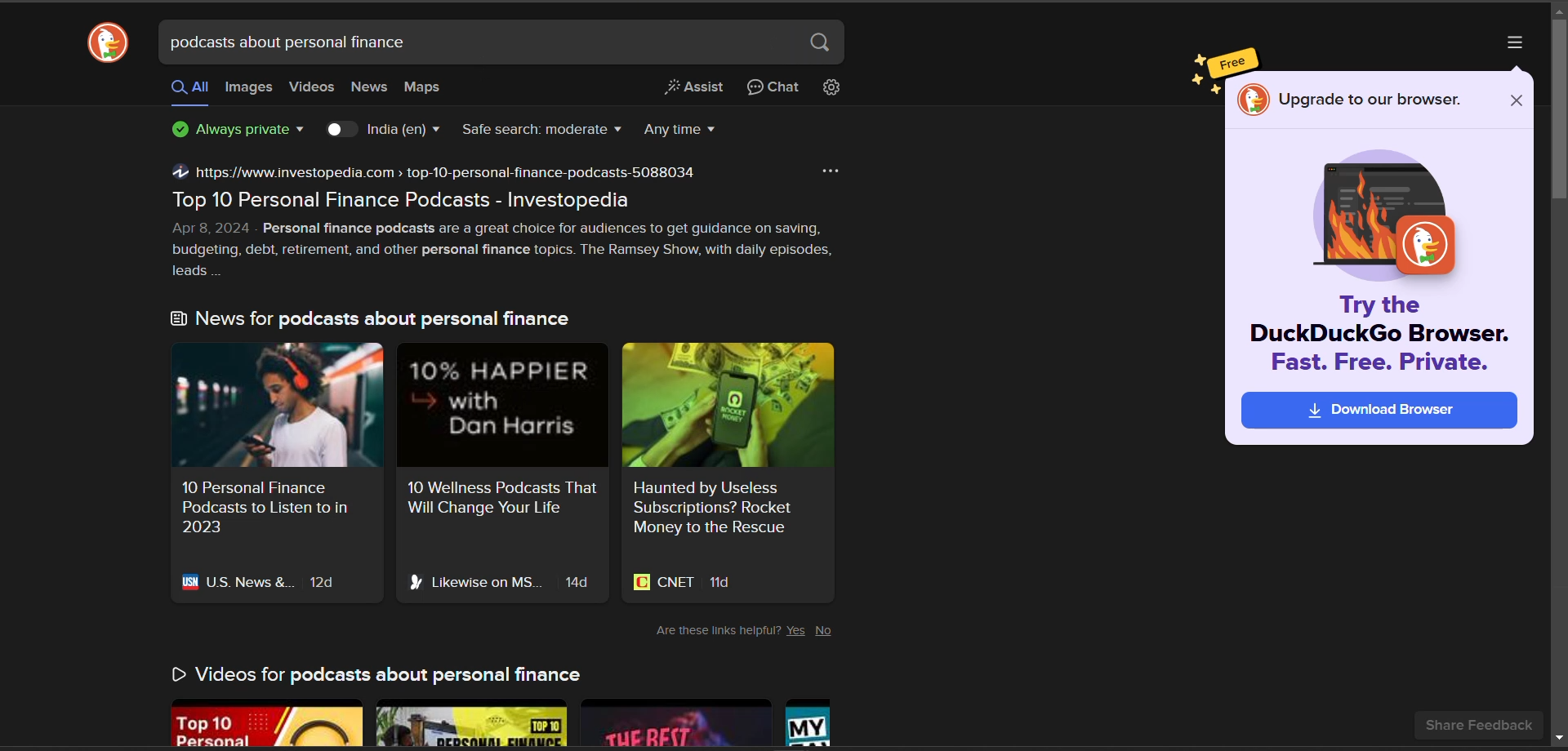  Describe the element at coordinates (367, 87) in the screenshot. I see `news` at that location.